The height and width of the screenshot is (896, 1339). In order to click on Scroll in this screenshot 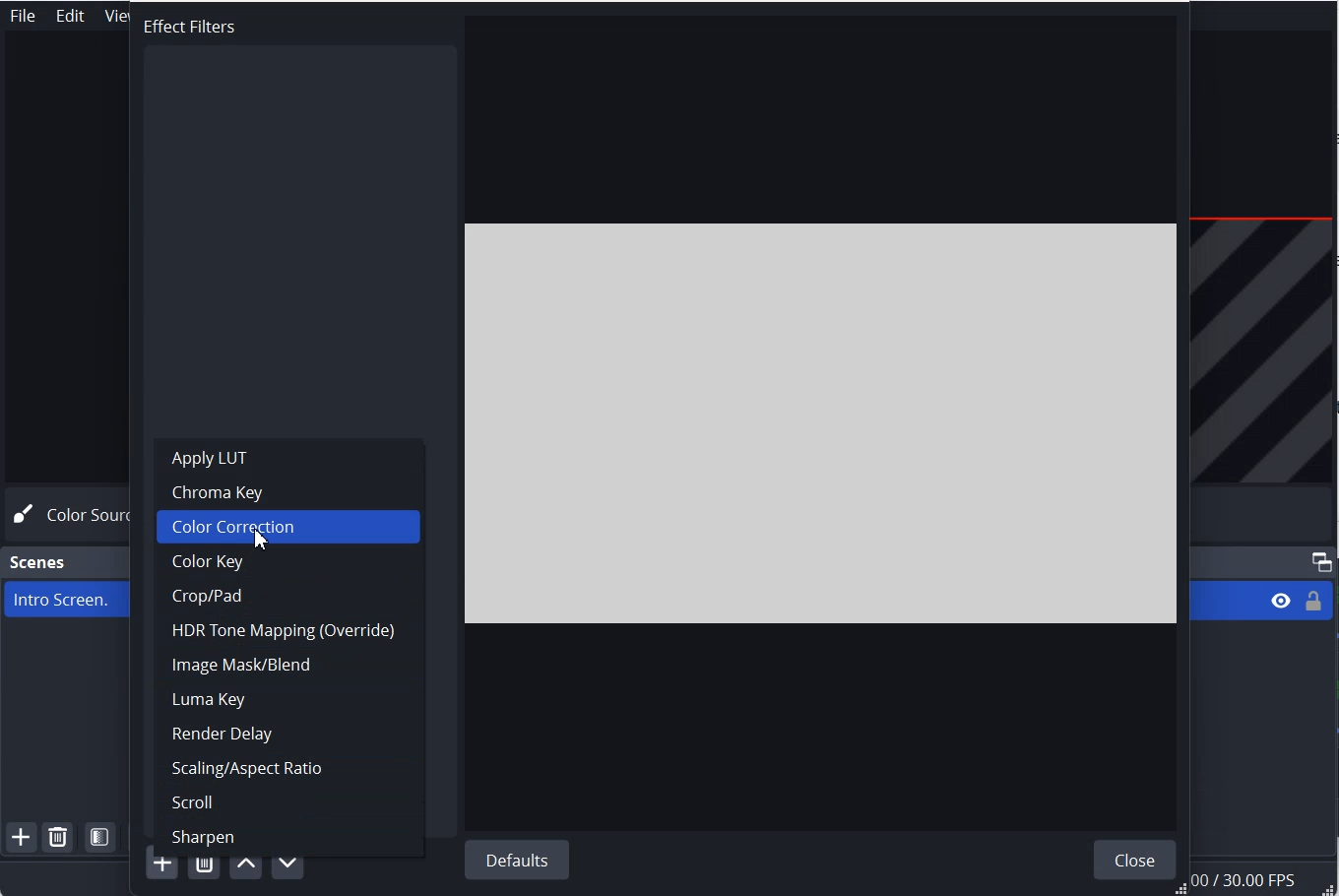, I will do `click(288, 800)`.